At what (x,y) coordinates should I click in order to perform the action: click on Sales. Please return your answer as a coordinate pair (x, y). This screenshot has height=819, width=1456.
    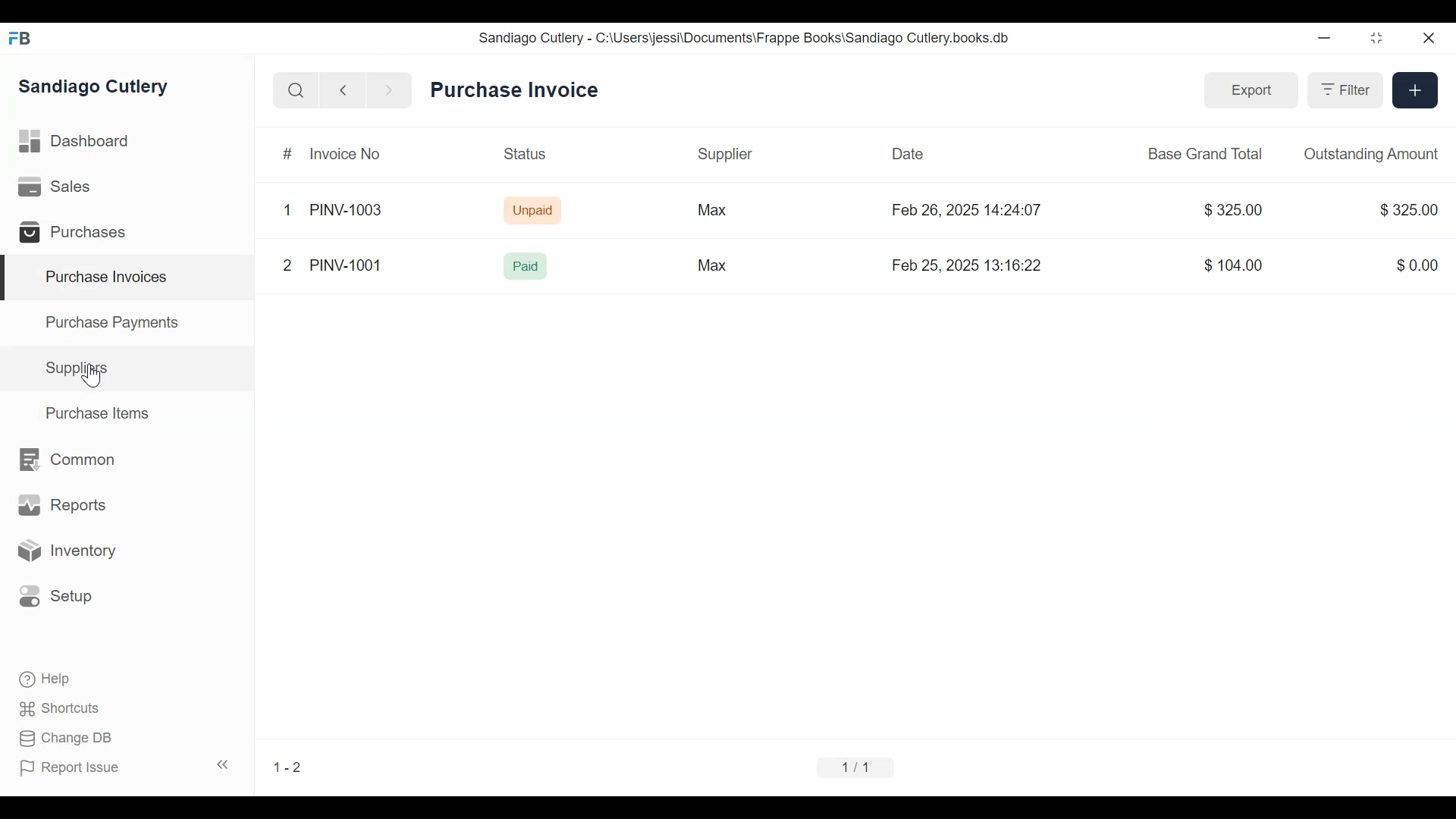
    Looking at the image, I should click on (55, 186).